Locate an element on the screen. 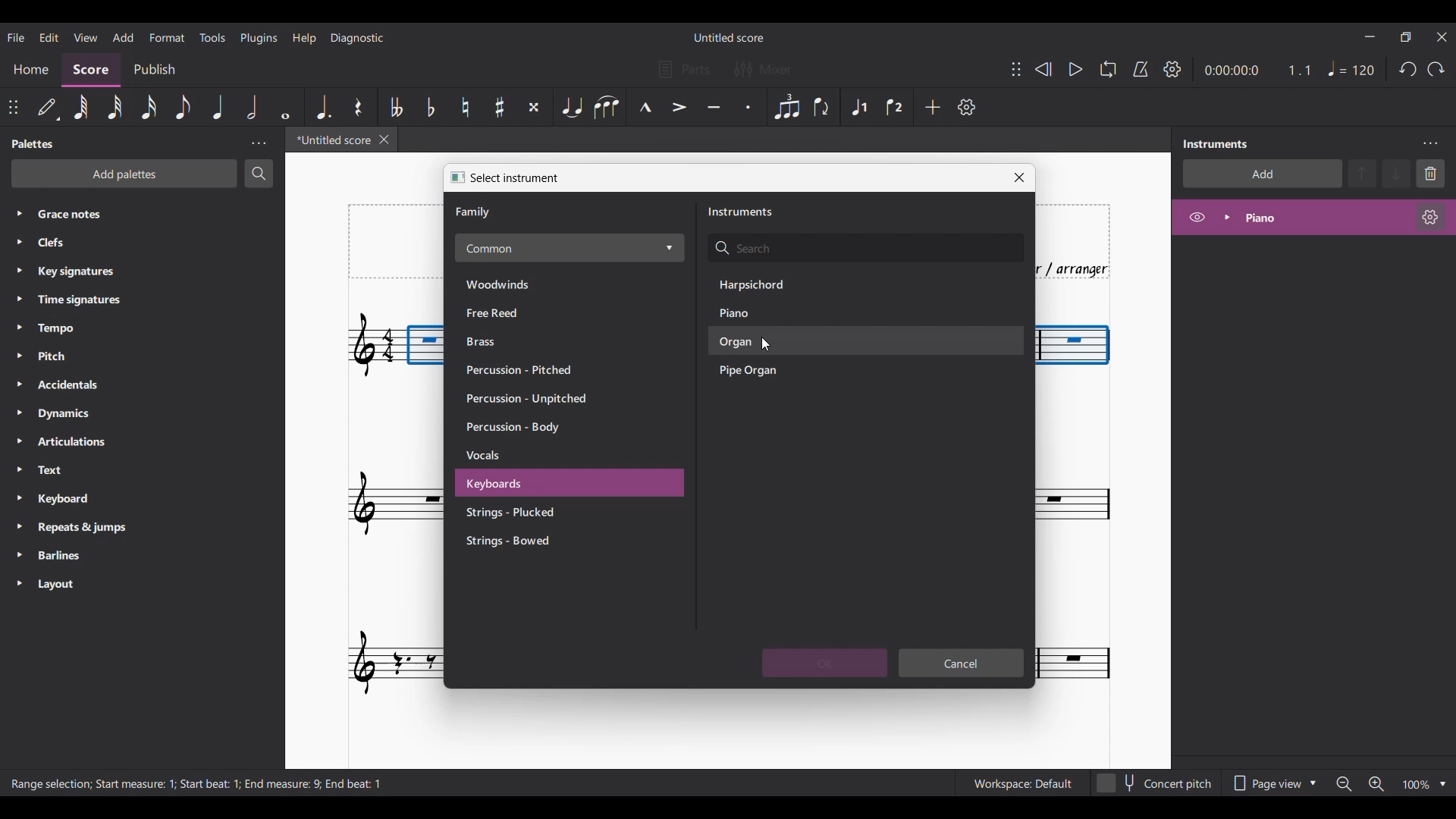 Image resolution: width=1456 pixels, height=819 pixels. Quarter note is located at coordinates (1351, 68).